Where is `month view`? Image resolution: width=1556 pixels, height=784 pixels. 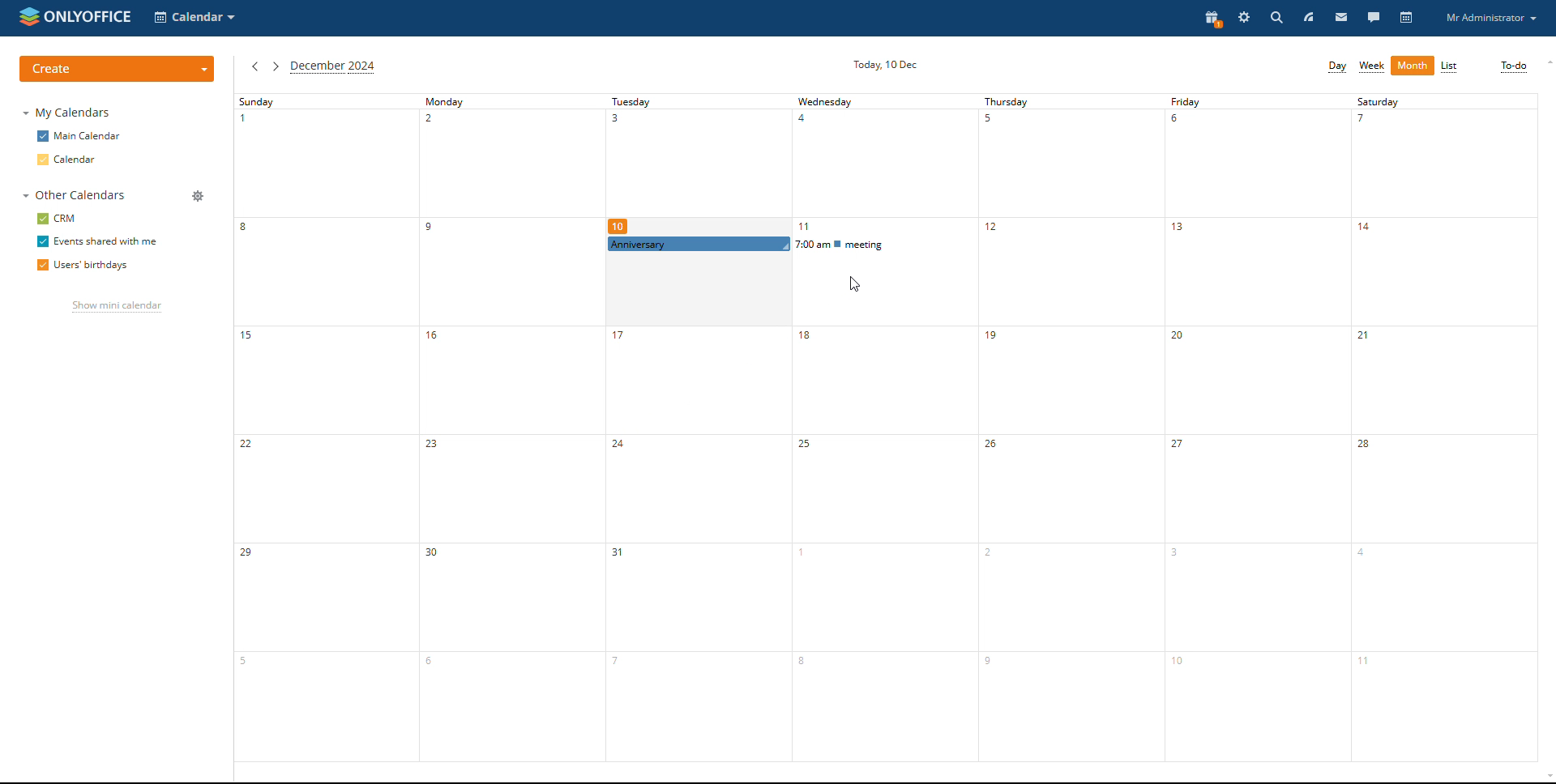 month view is located at coordinates (1413, 66).